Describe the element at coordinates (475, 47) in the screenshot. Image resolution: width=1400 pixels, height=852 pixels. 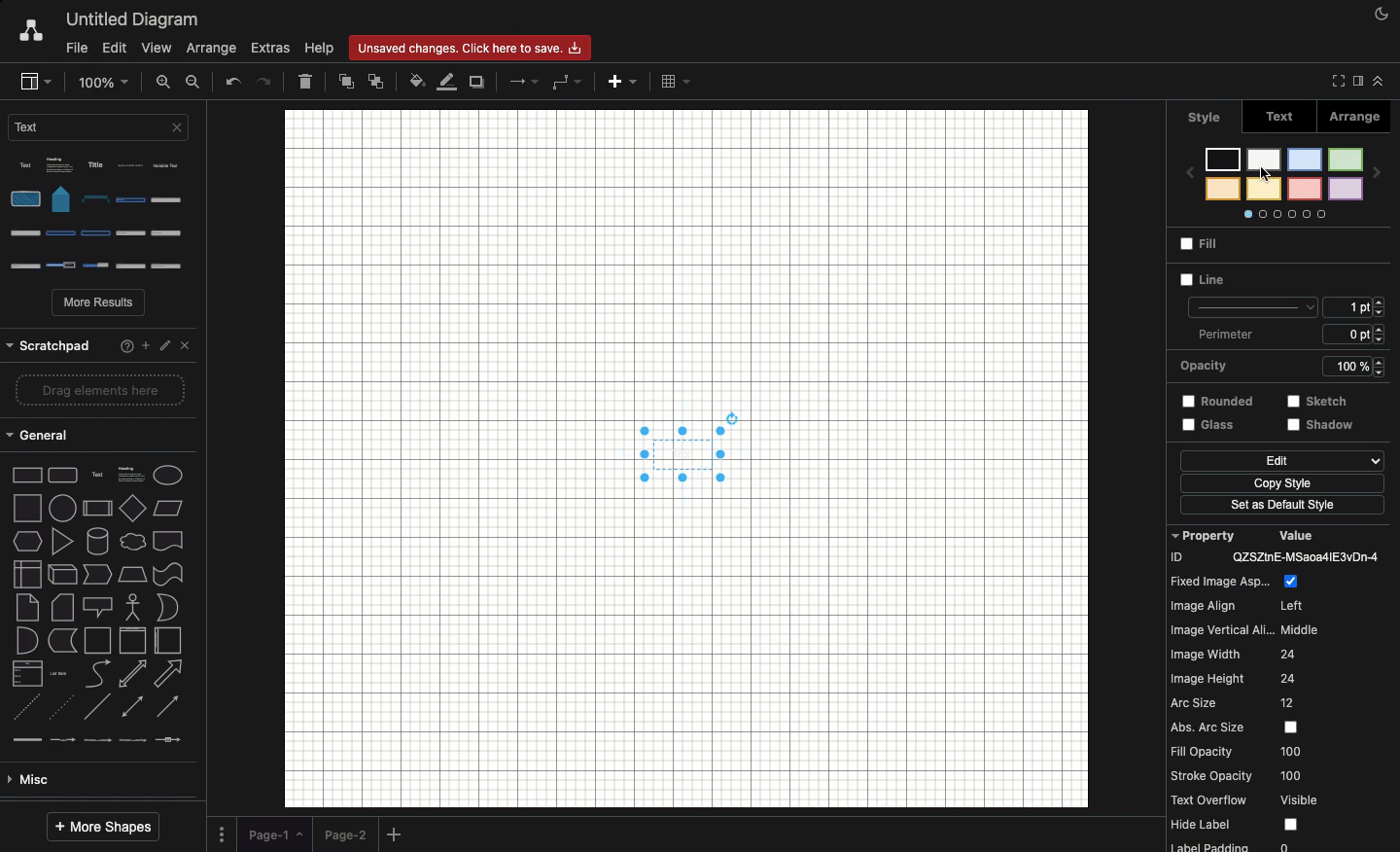
I see `changes` at that location.